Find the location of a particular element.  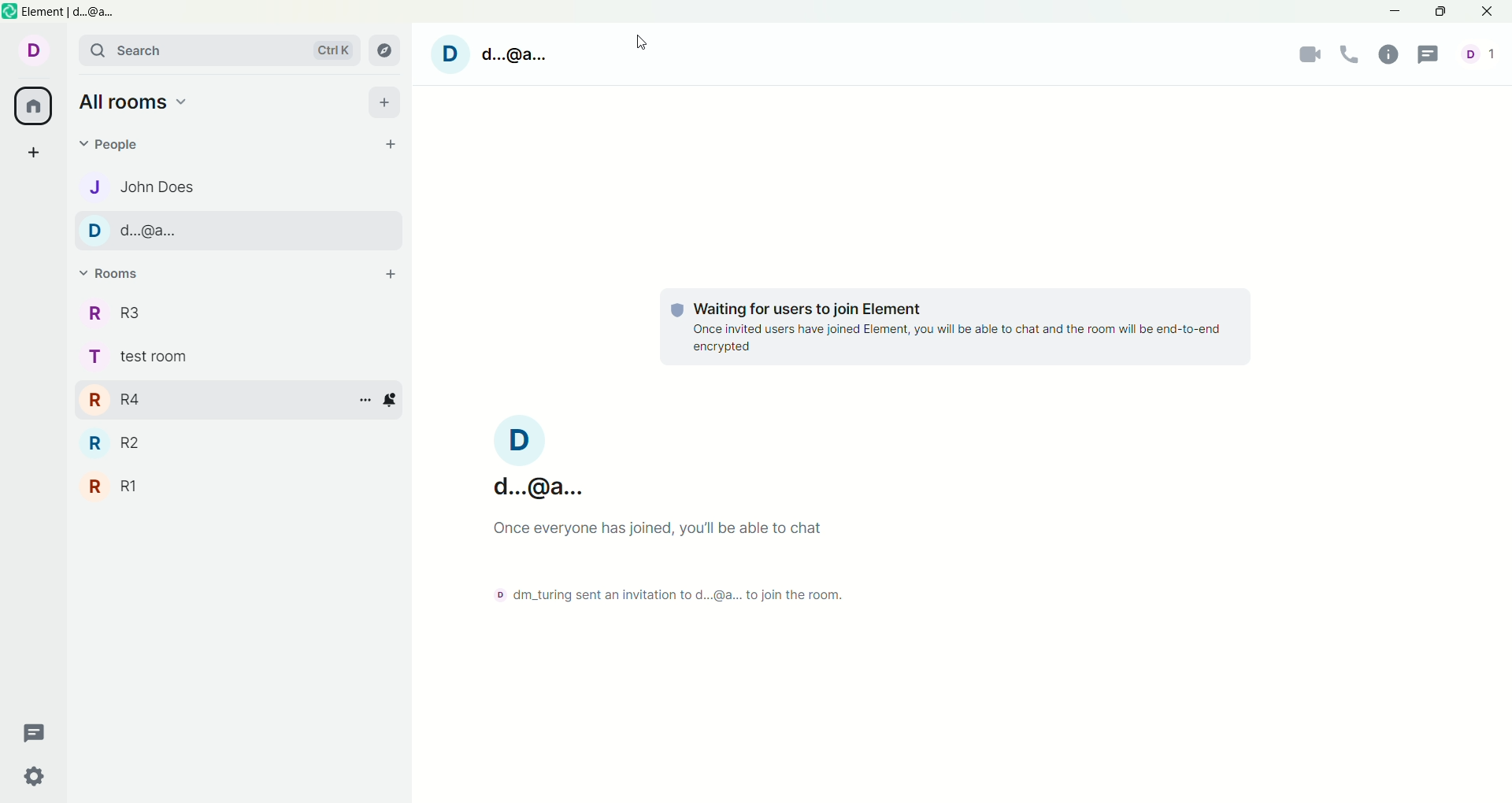

Current account is located at coordinates (31, 50).